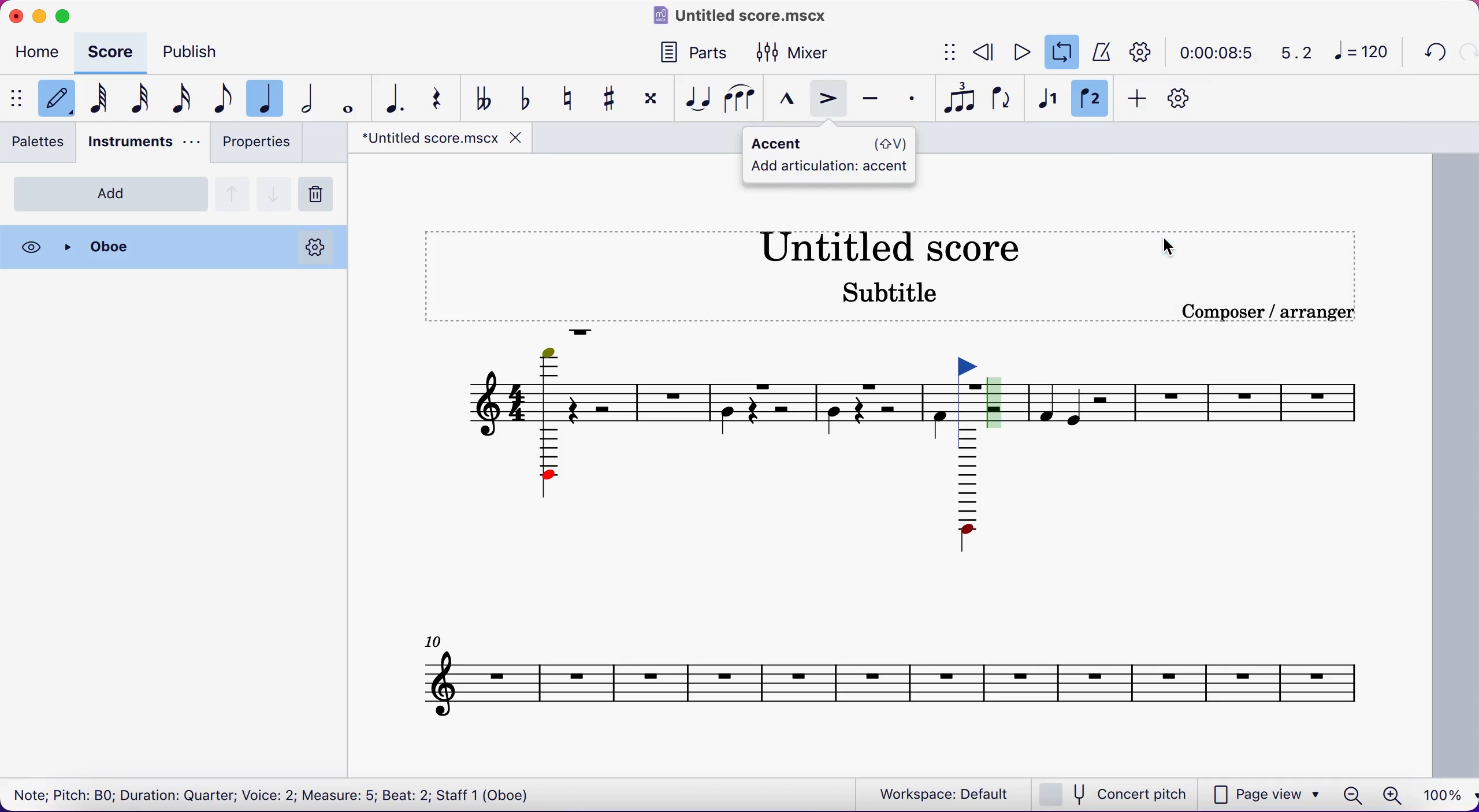  What do you see at coordinates (221, 100) in the screenshot?
I see `eight note` at bounding box center [221, 100].